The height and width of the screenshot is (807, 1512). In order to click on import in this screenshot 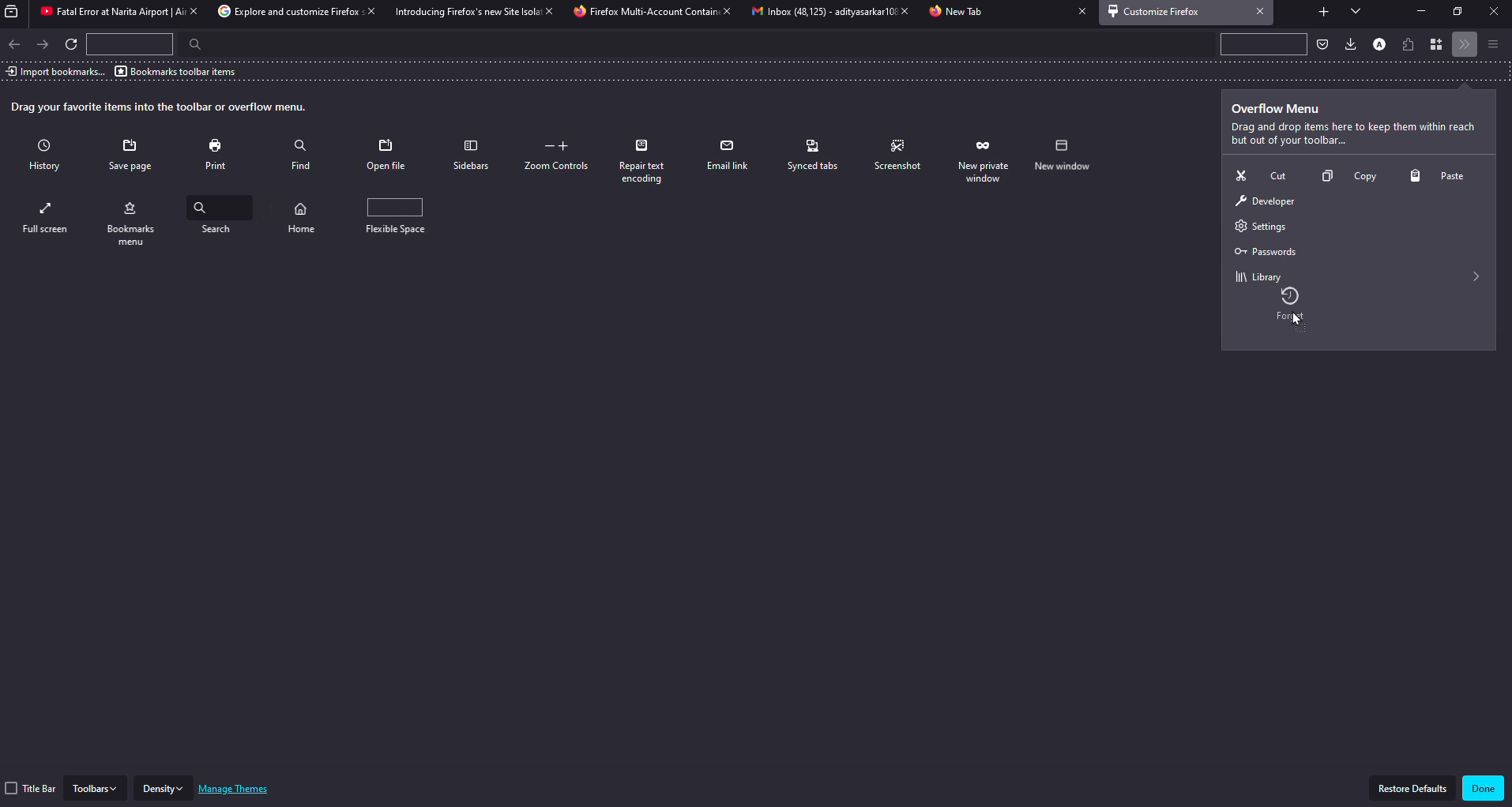, I will do `click(55, 71)`.